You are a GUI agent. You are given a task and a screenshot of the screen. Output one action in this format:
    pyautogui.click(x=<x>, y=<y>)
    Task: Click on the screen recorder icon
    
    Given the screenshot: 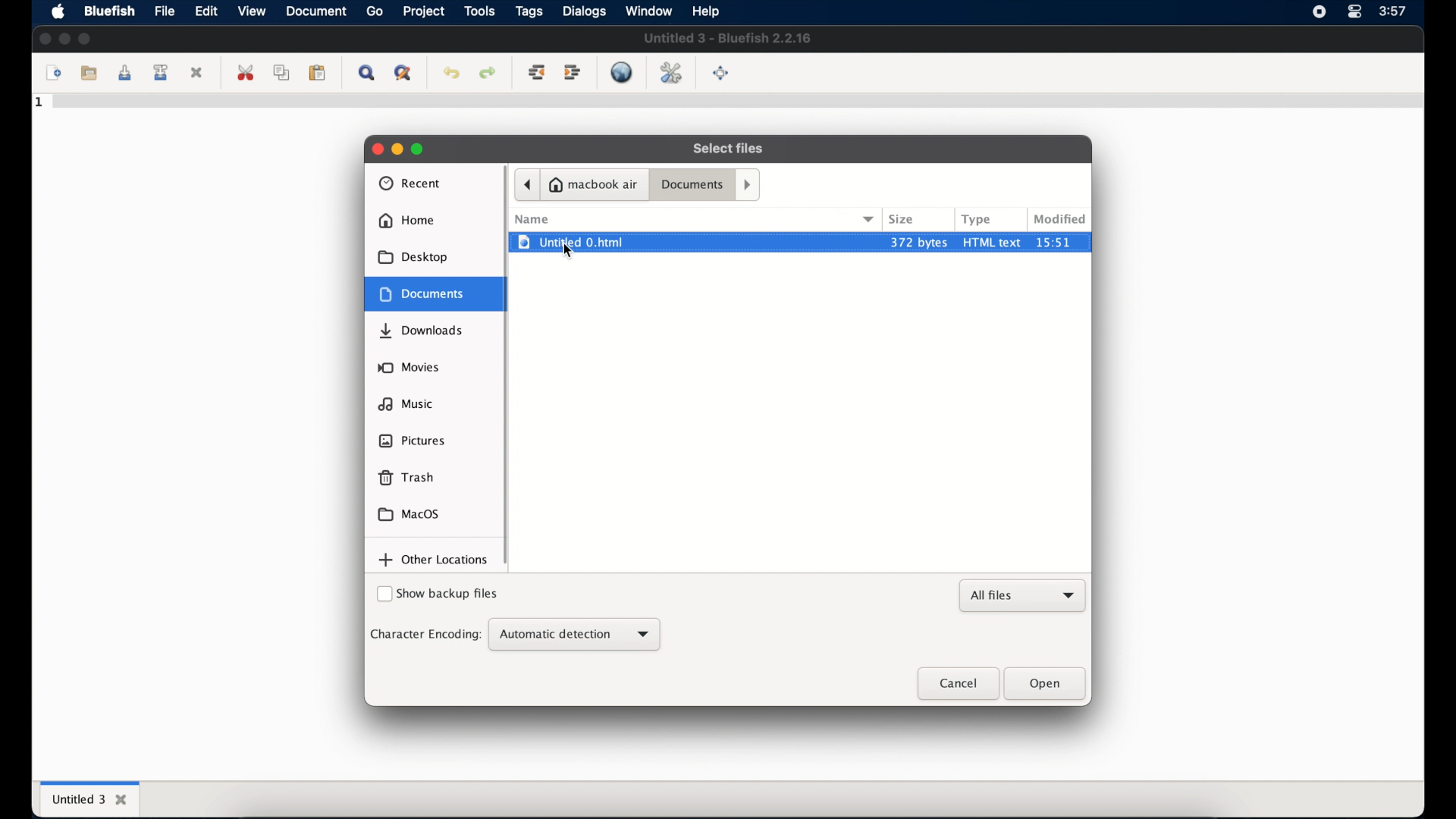 What is the action you would take?
    pyautogui.click(x=1319, y=12)
    